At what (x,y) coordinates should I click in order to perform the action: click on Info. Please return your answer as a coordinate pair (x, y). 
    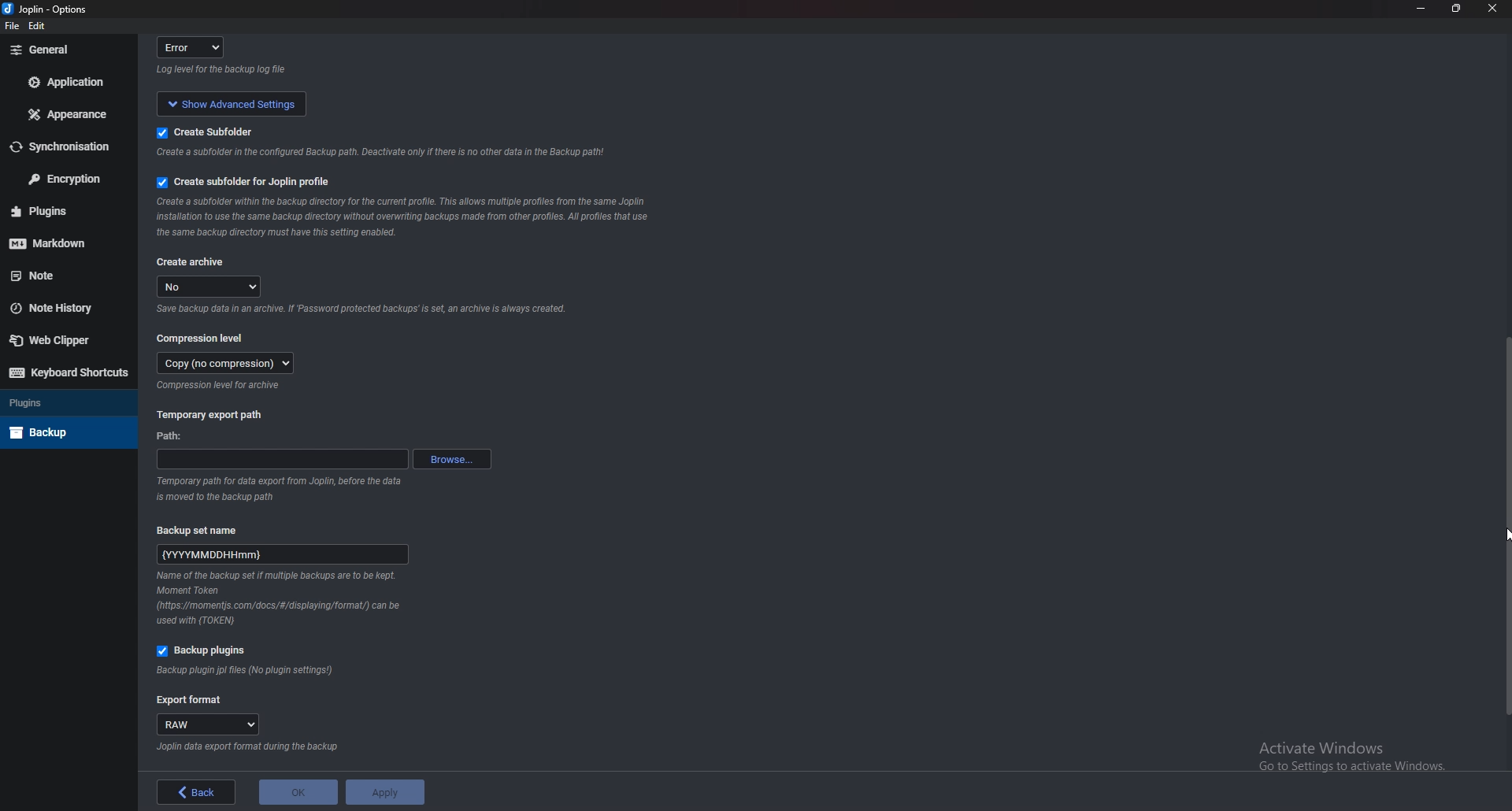
    Looking at the image, I should click on (402, 218).